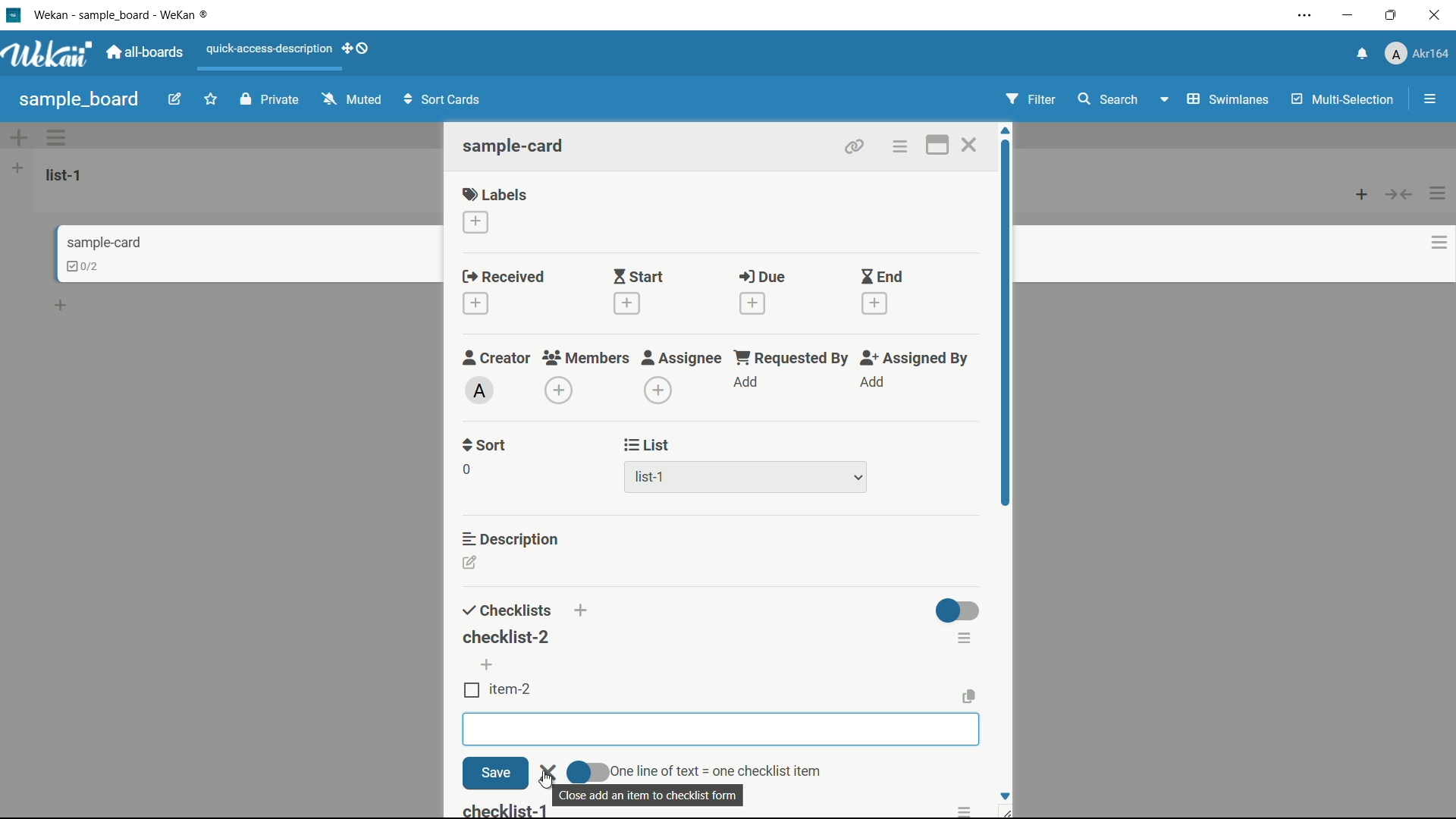  I want to click on add, so click(871, 382).